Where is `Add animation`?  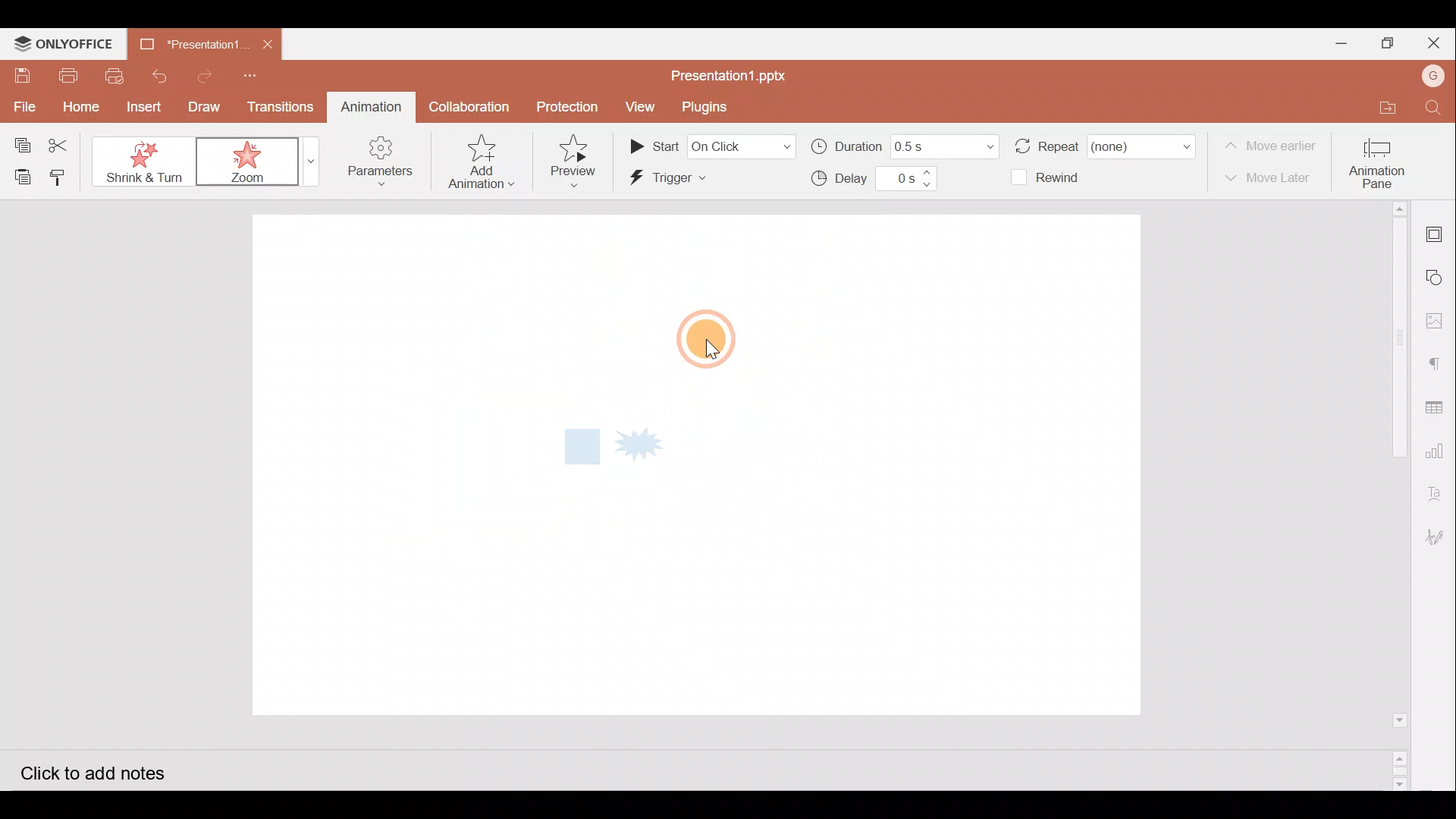 Add animation is located at coordinates (484, 162).